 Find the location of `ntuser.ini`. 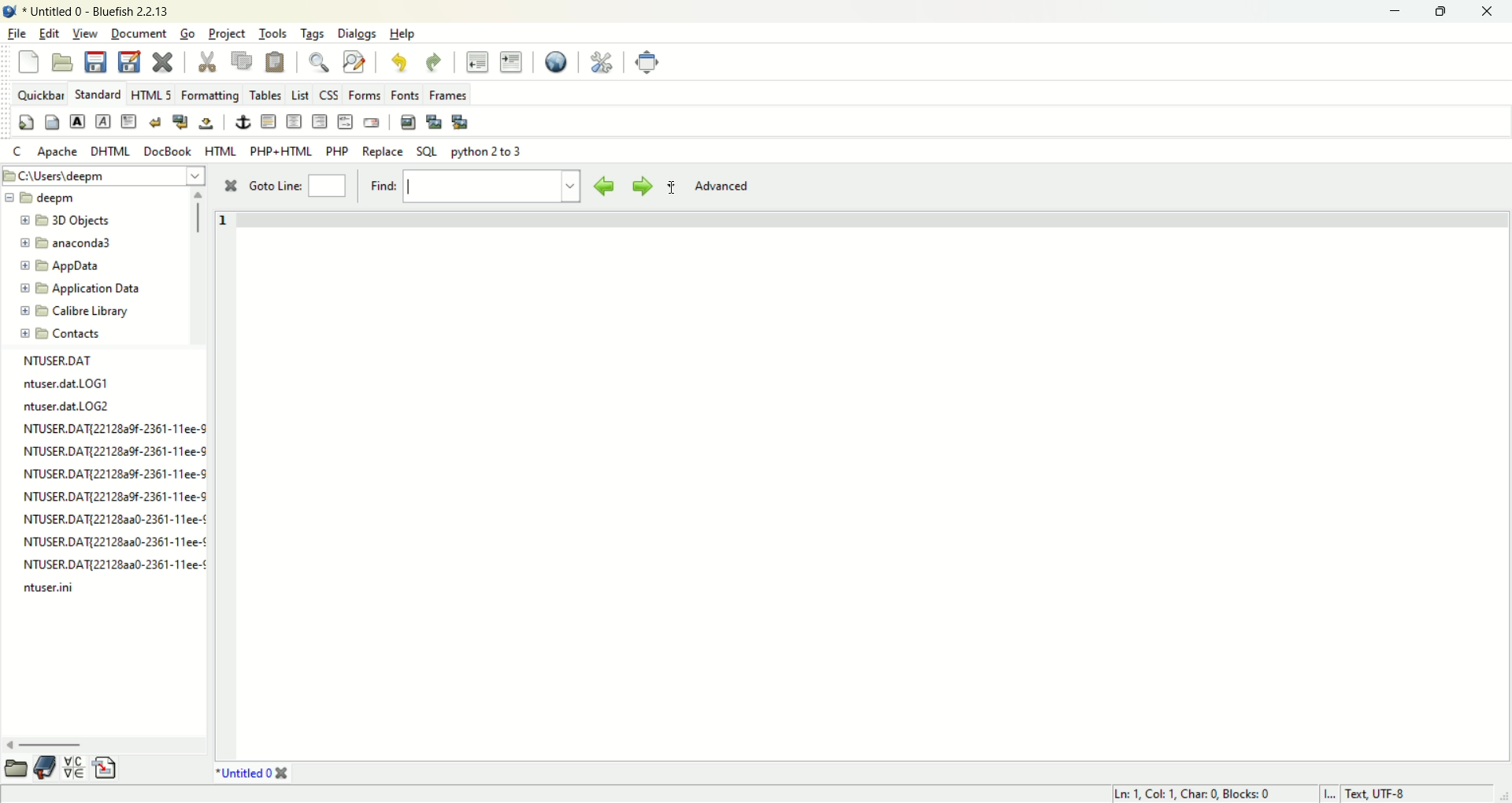

ntuser.ini is located at coordinates (52, 589).